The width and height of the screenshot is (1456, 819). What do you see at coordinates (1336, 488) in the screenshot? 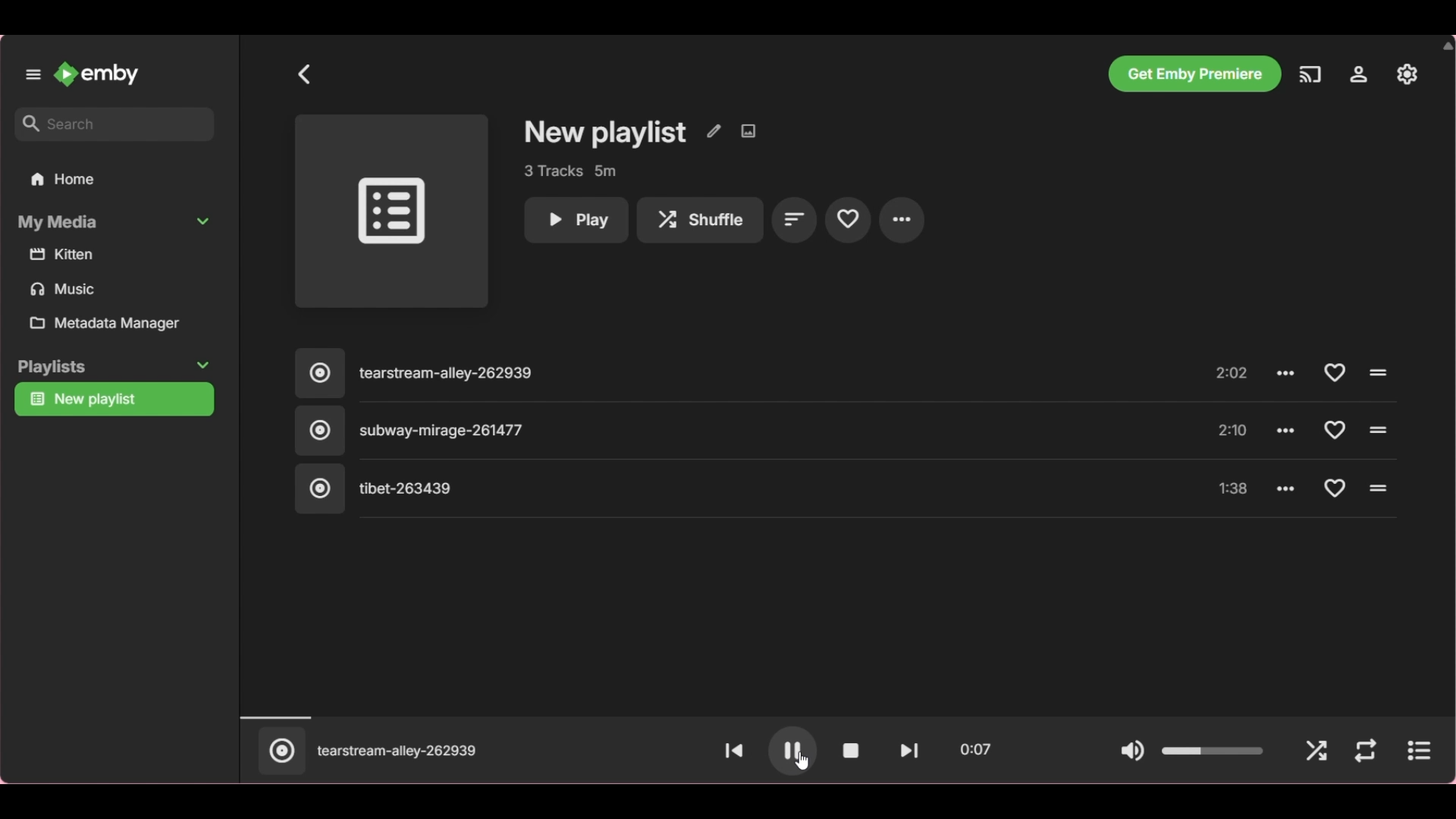
I see `Add respective song to favorites` at bounding box center [1336, 488].